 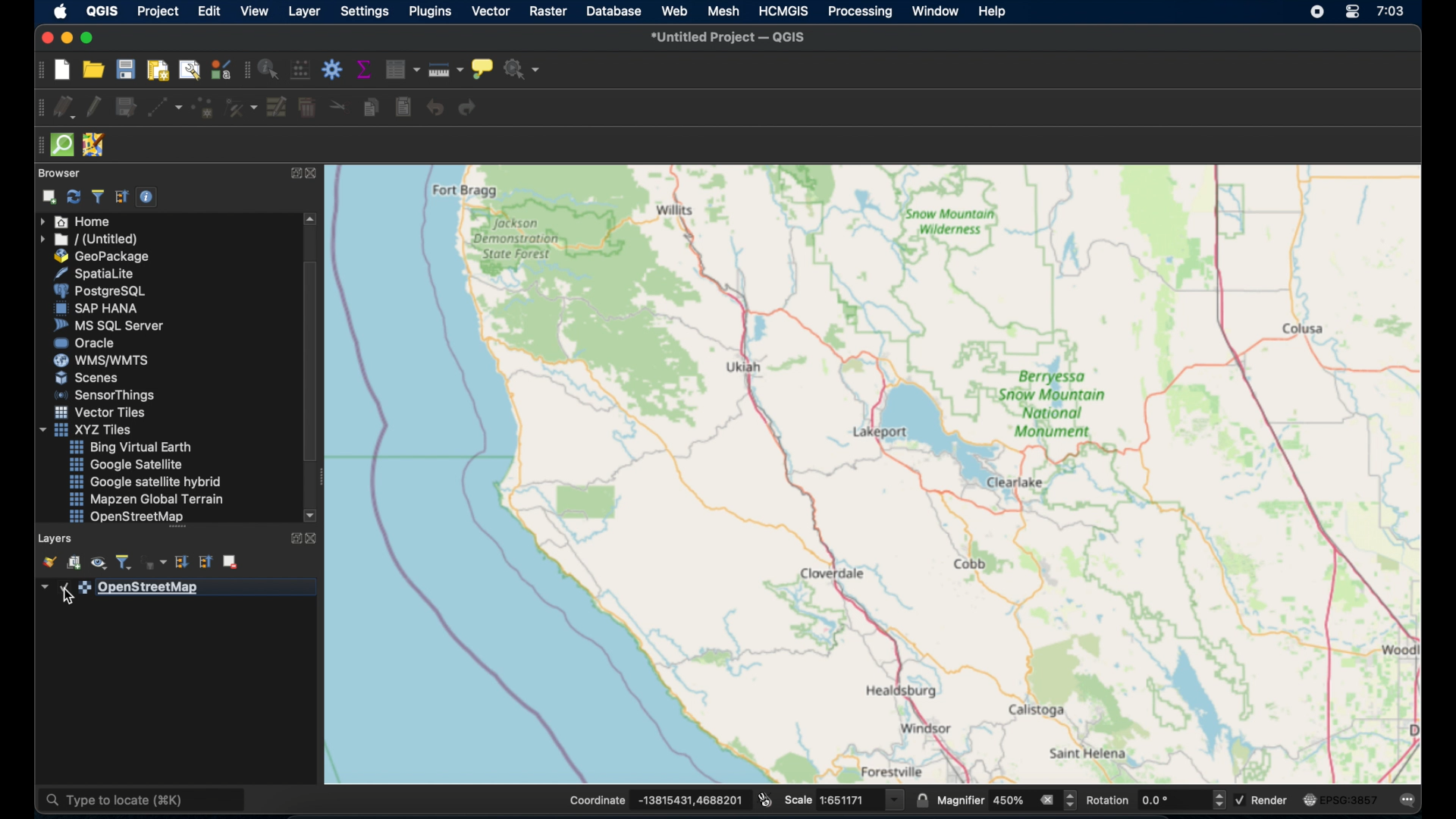 What do you see at coordinates (73, 220) in the screenshot?
I see `home menu` at bounding box center [73, 220].